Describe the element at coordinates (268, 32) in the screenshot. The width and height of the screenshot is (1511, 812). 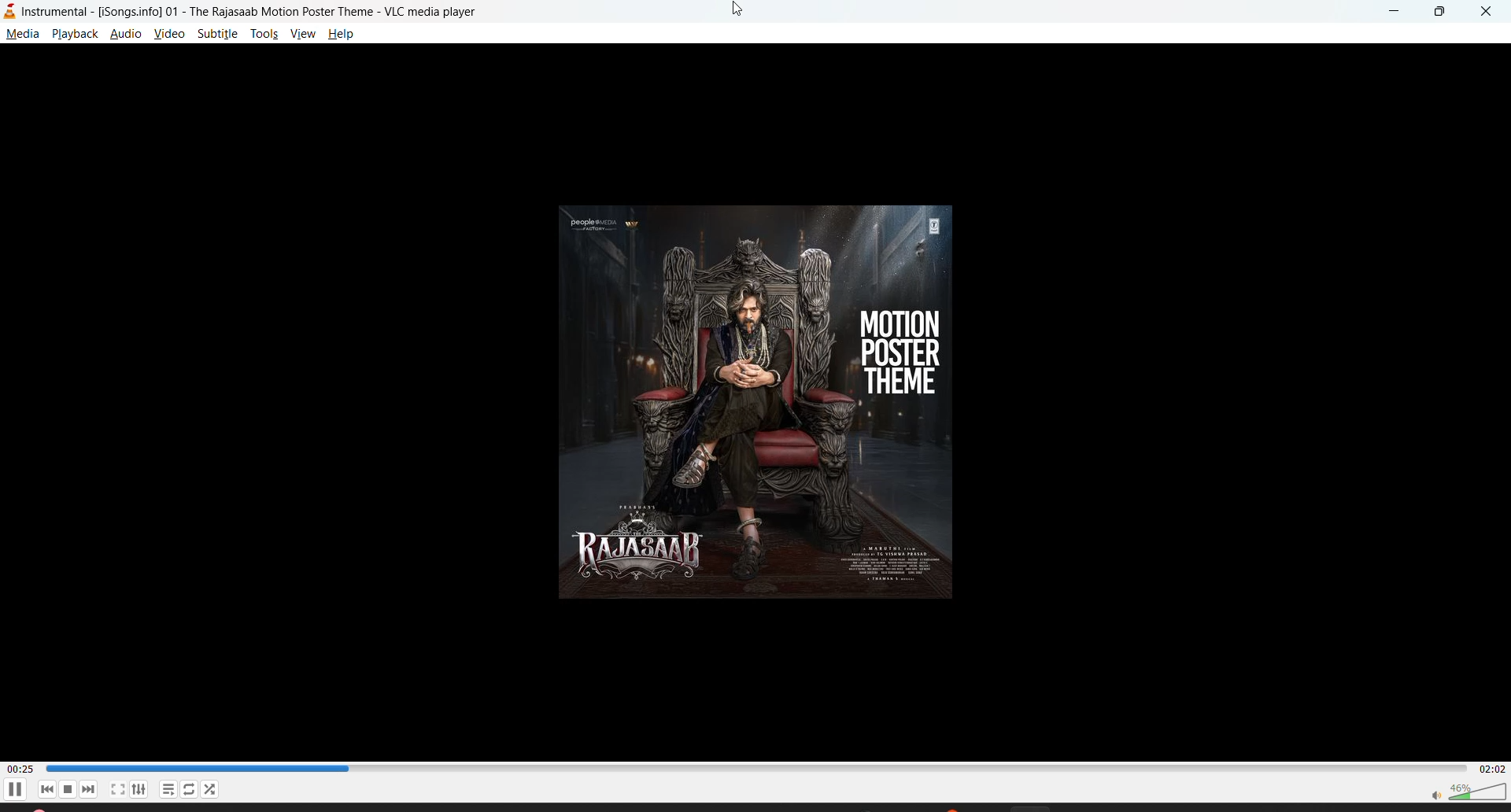
I see `tools` at that location.